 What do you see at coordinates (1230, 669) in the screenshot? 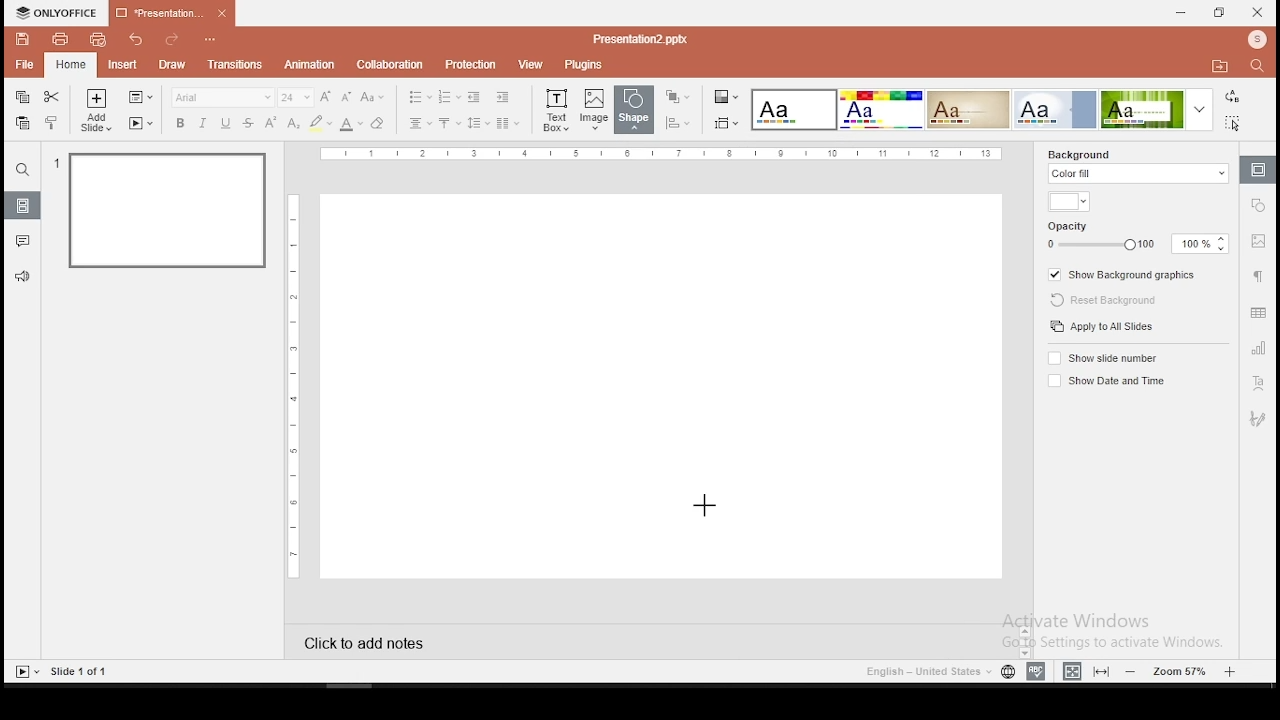
I see `zoom in` at bounding box center [1230, 669].